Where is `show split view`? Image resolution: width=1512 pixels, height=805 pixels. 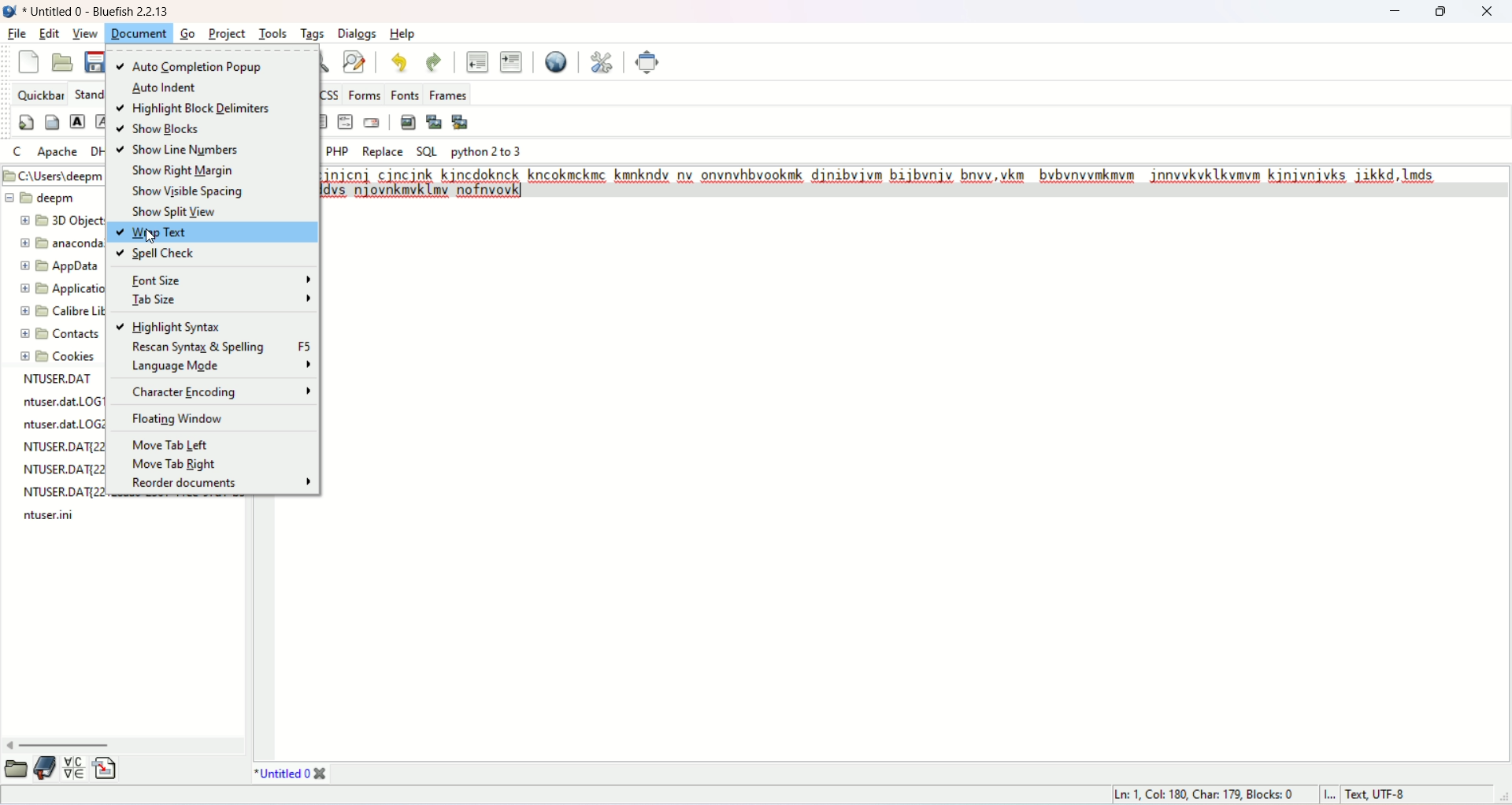 show split view is located at coordinates (180, 212).